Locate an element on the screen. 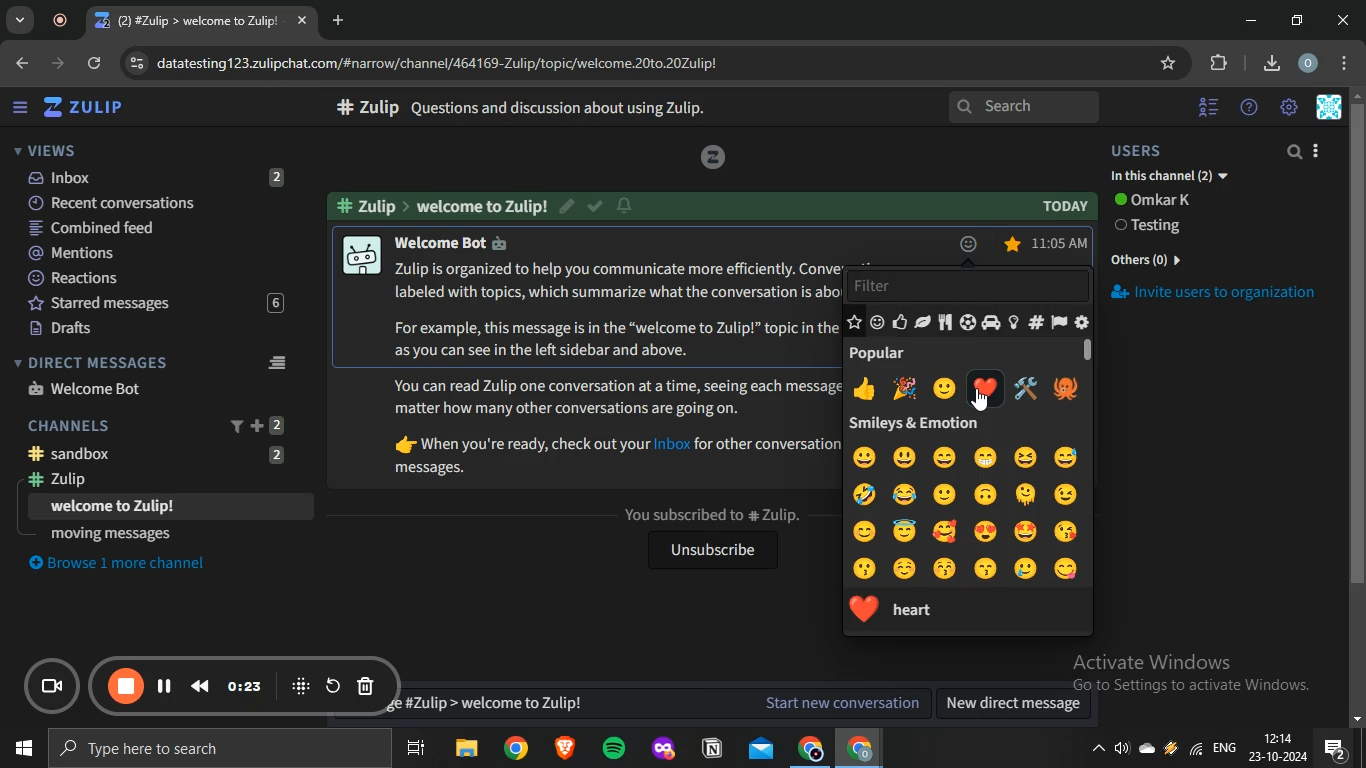 This screenshot has width=1366, height=768. travel and places is located at coordinates (989, 323).